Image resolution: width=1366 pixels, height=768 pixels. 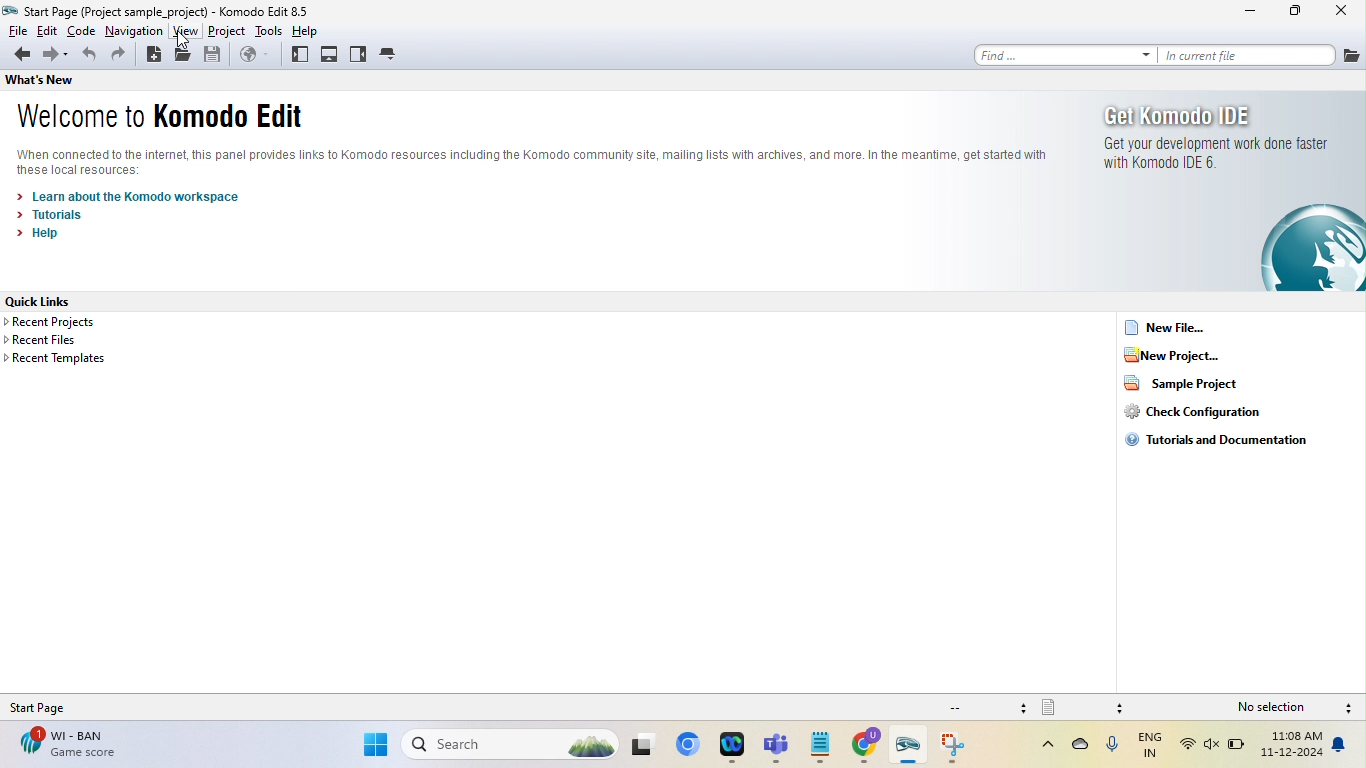 What do you see at coordinates (19, 55) in the screenshot?
I see `back` at bounding box center [19, 55].